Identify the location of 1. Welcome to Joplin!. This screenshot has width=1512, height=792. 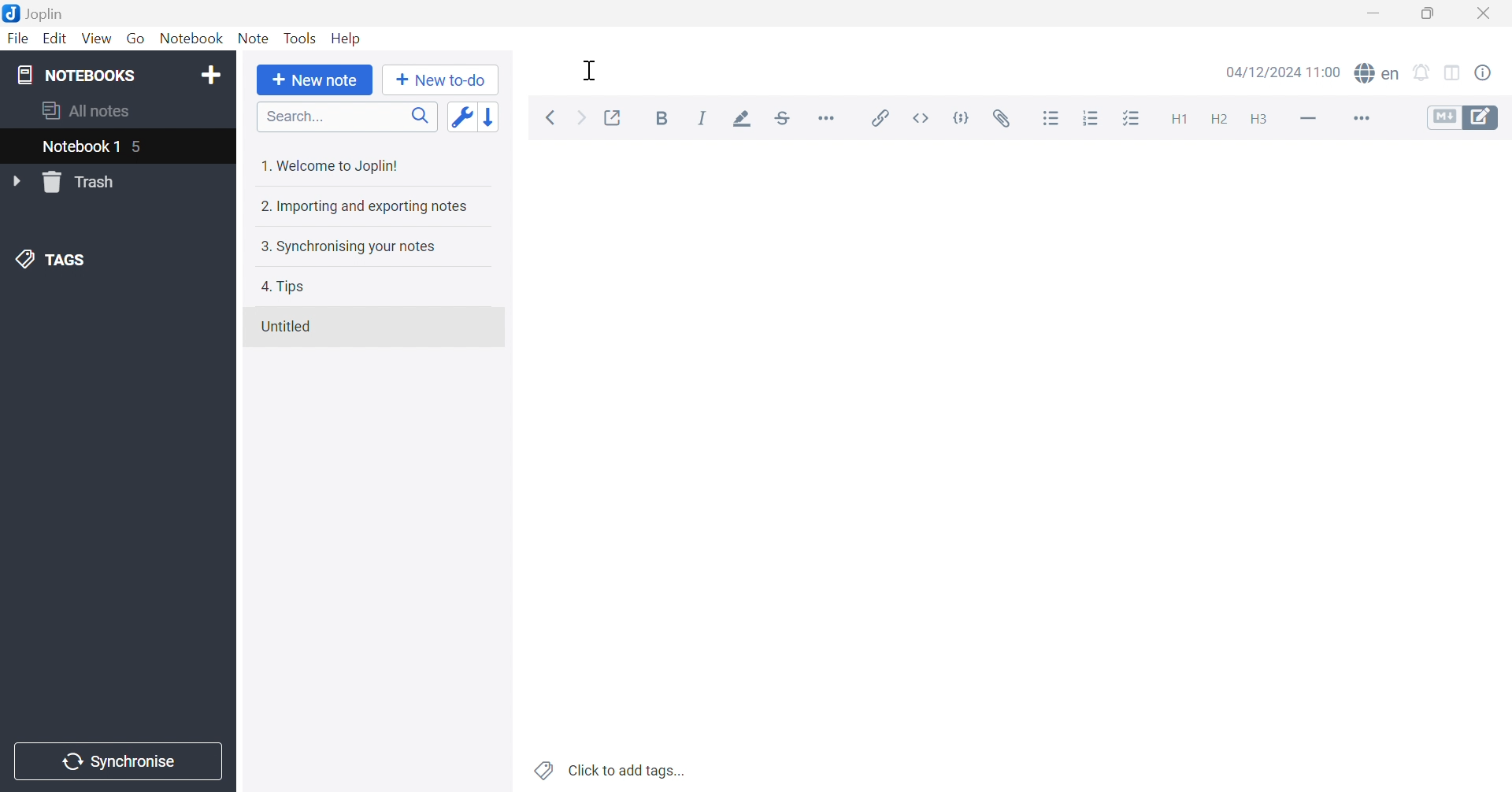
(336, 163).